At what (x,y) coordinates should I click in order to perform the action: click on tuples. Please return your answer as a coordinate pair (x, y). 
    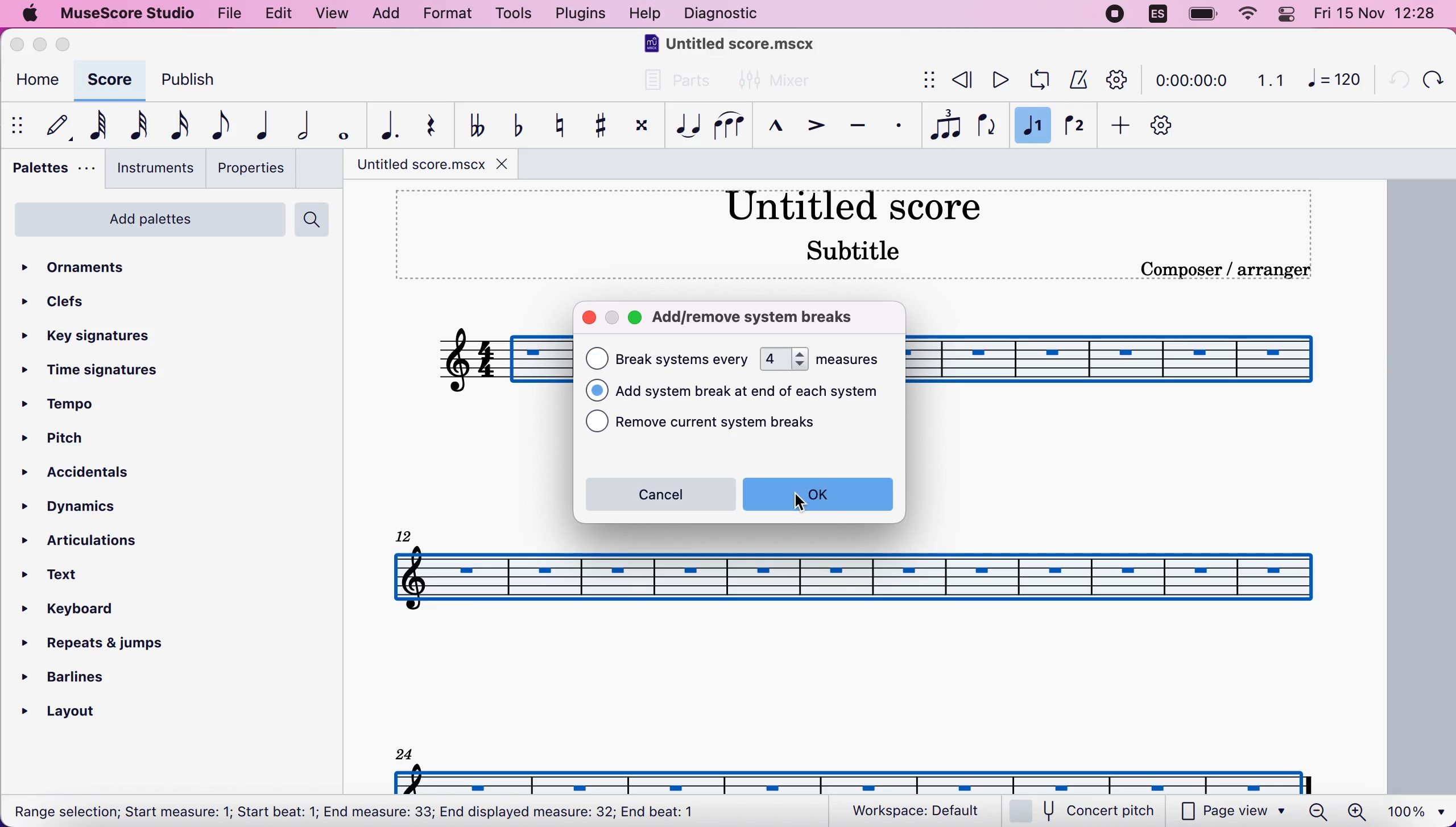
    Looking at the image, I should click on (946, 126).